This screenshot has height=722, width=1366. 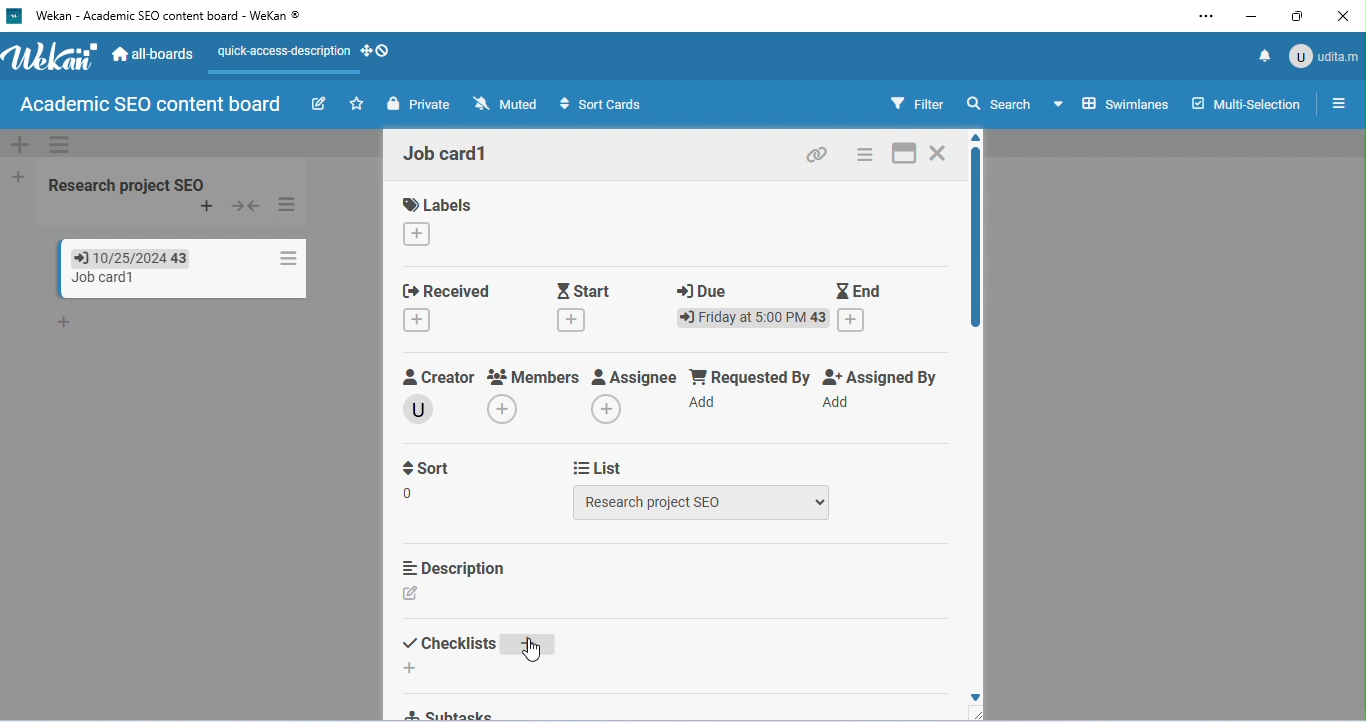 What do you see at coordinates (704, 291) in the screenshot?
I see `due` at bounding box center [704, 291].